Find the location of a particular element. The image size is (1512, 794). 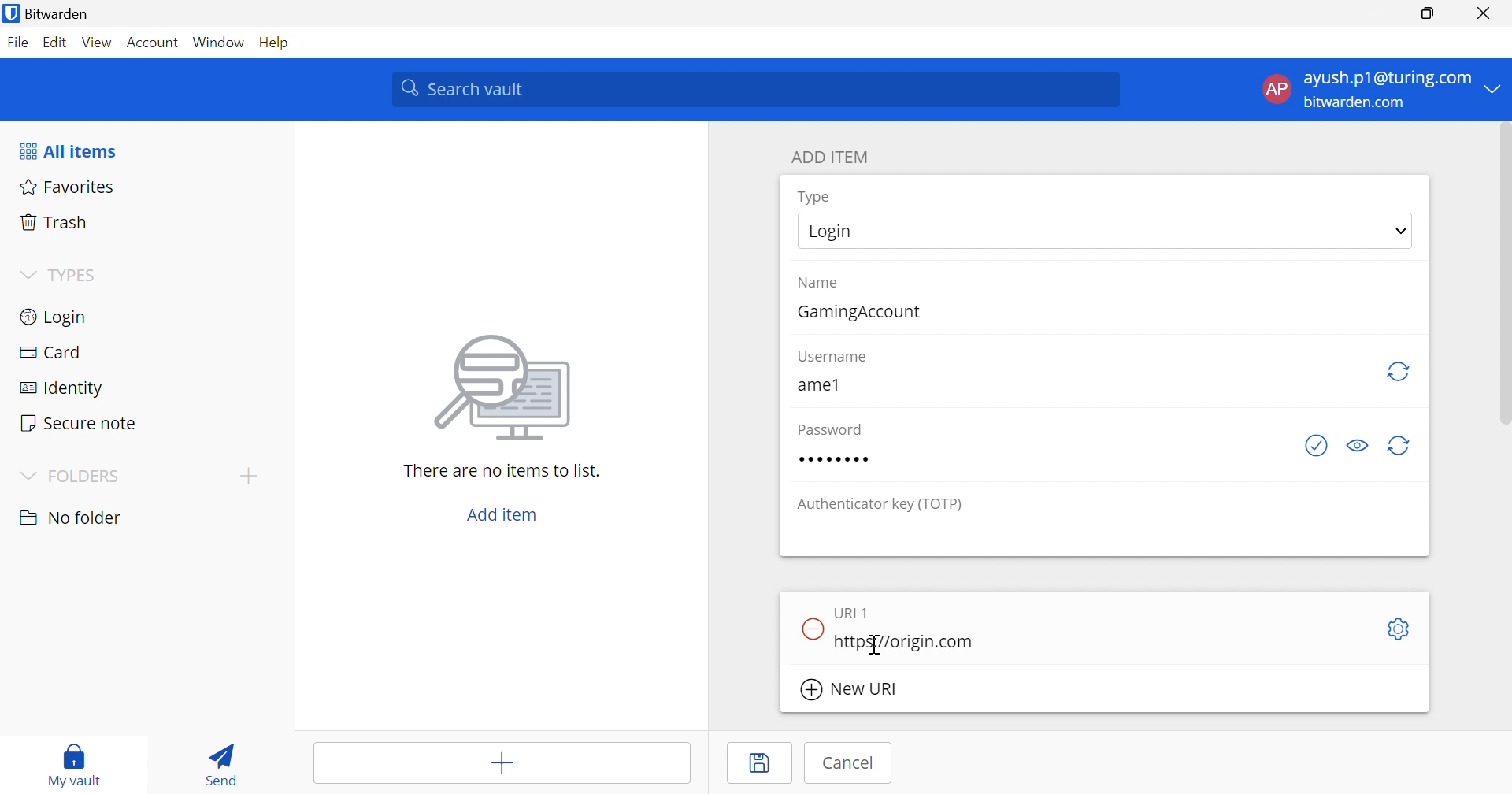

Bitwarden is located at coordinates (46, 13).